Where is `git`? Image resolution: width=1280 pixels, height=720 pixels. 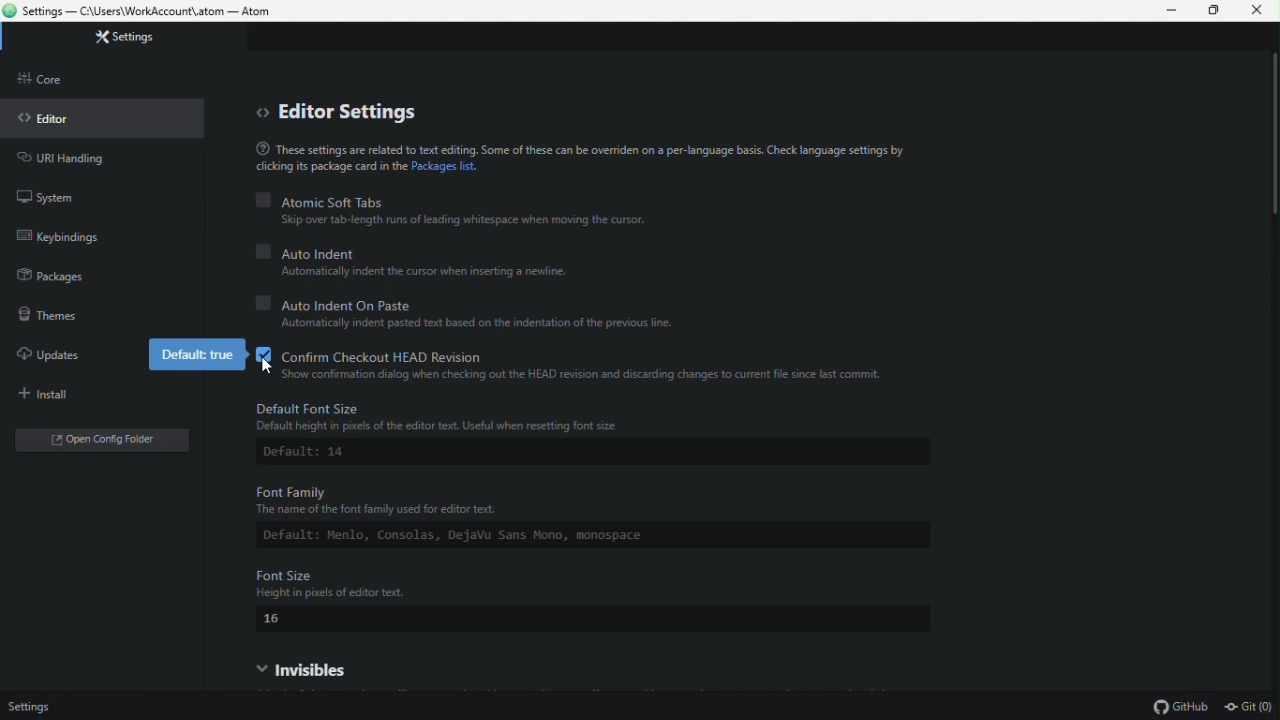 git is located at coordinates (1250, 706).